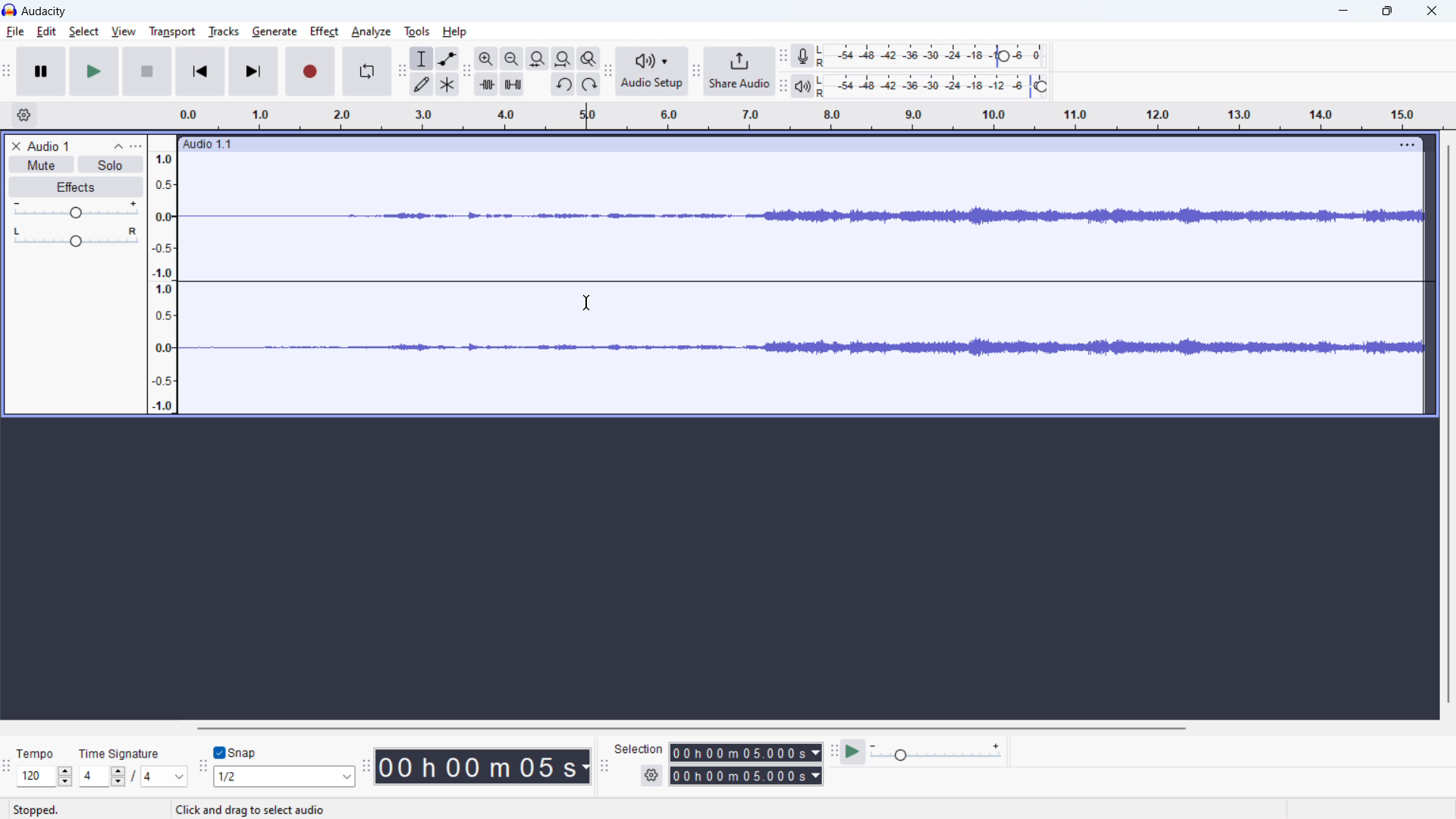 The height and width of the screenshot is (819, 1456). I want to click on snapping toolbar, so click(202, 765).